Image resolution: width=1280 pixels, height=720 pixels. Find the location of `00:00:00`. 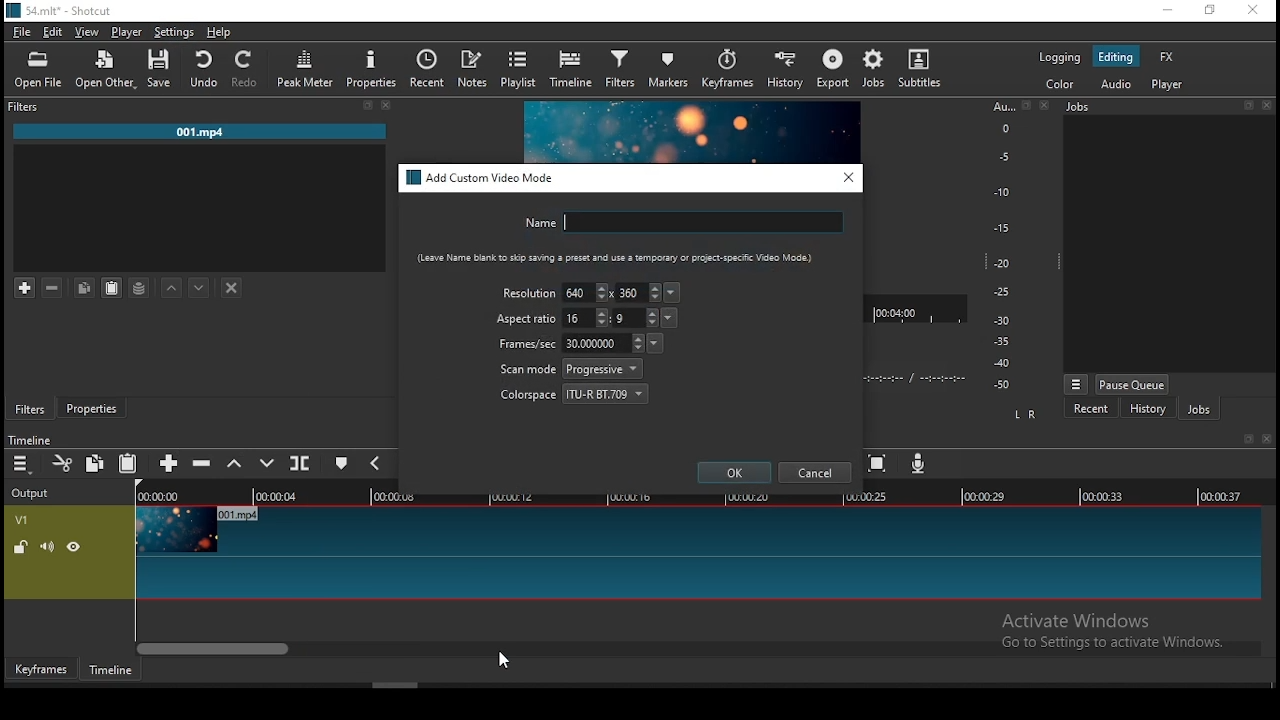

00:00:00 is located at coordinates (155, 496).